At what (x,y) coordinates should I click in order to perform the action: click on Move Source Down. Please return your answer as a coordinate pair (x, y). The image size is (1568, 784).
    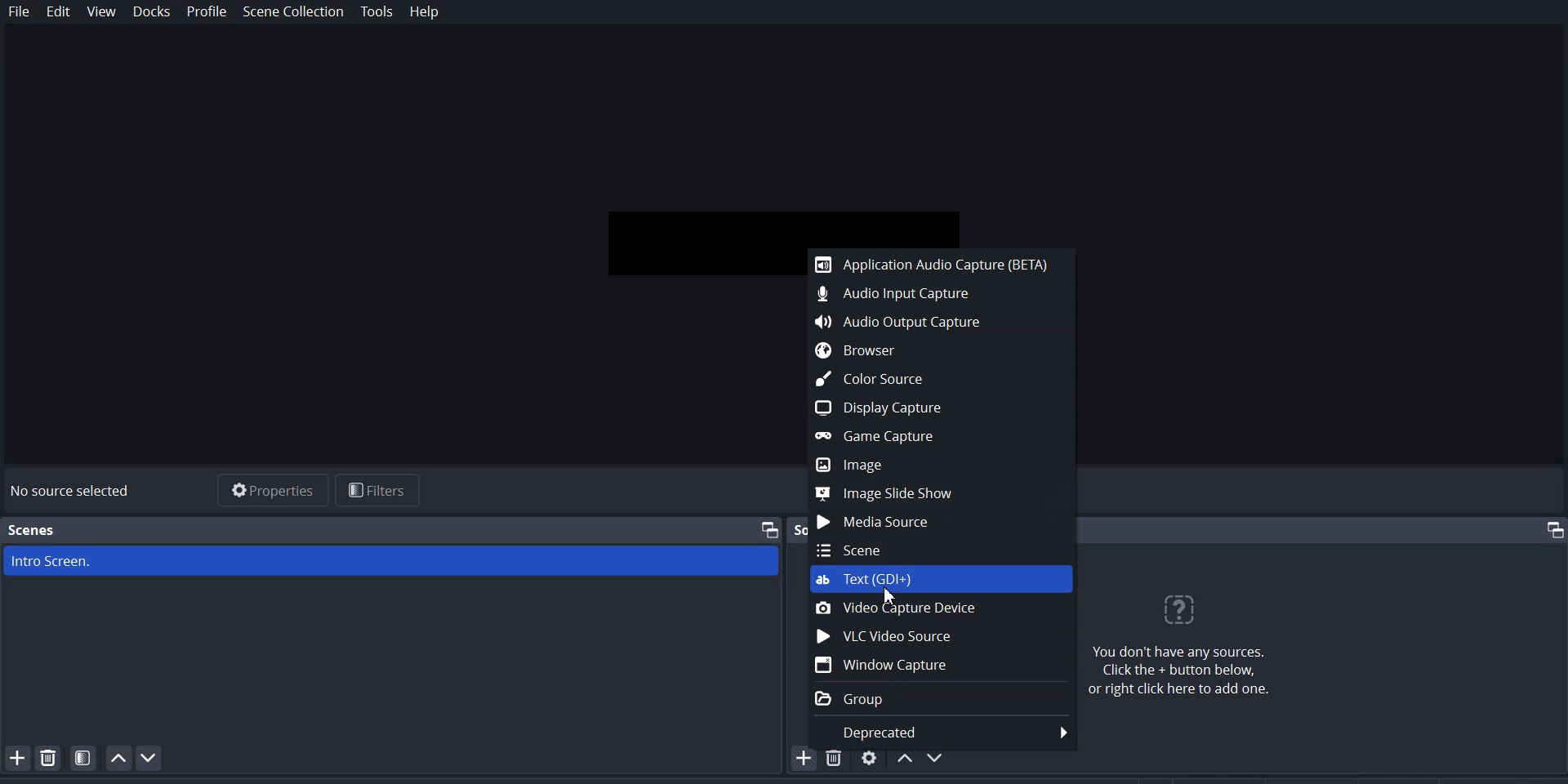
    Looking at the image, I should click on (938, 756).